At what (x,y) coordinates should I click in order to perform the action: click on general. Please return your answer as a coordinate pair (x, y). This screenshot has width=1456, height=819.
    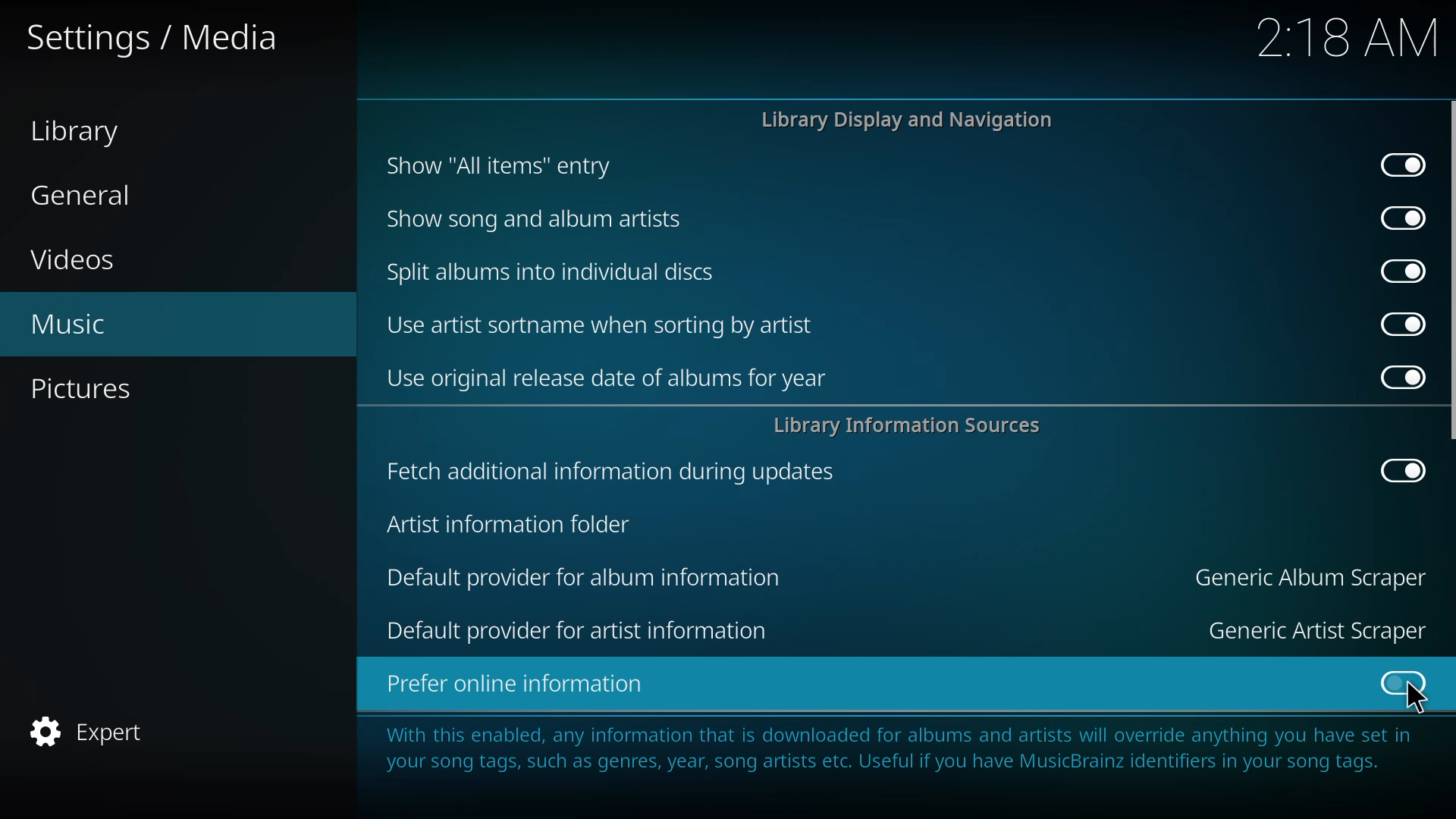
    Looking at the image, I should click on (85, 196).